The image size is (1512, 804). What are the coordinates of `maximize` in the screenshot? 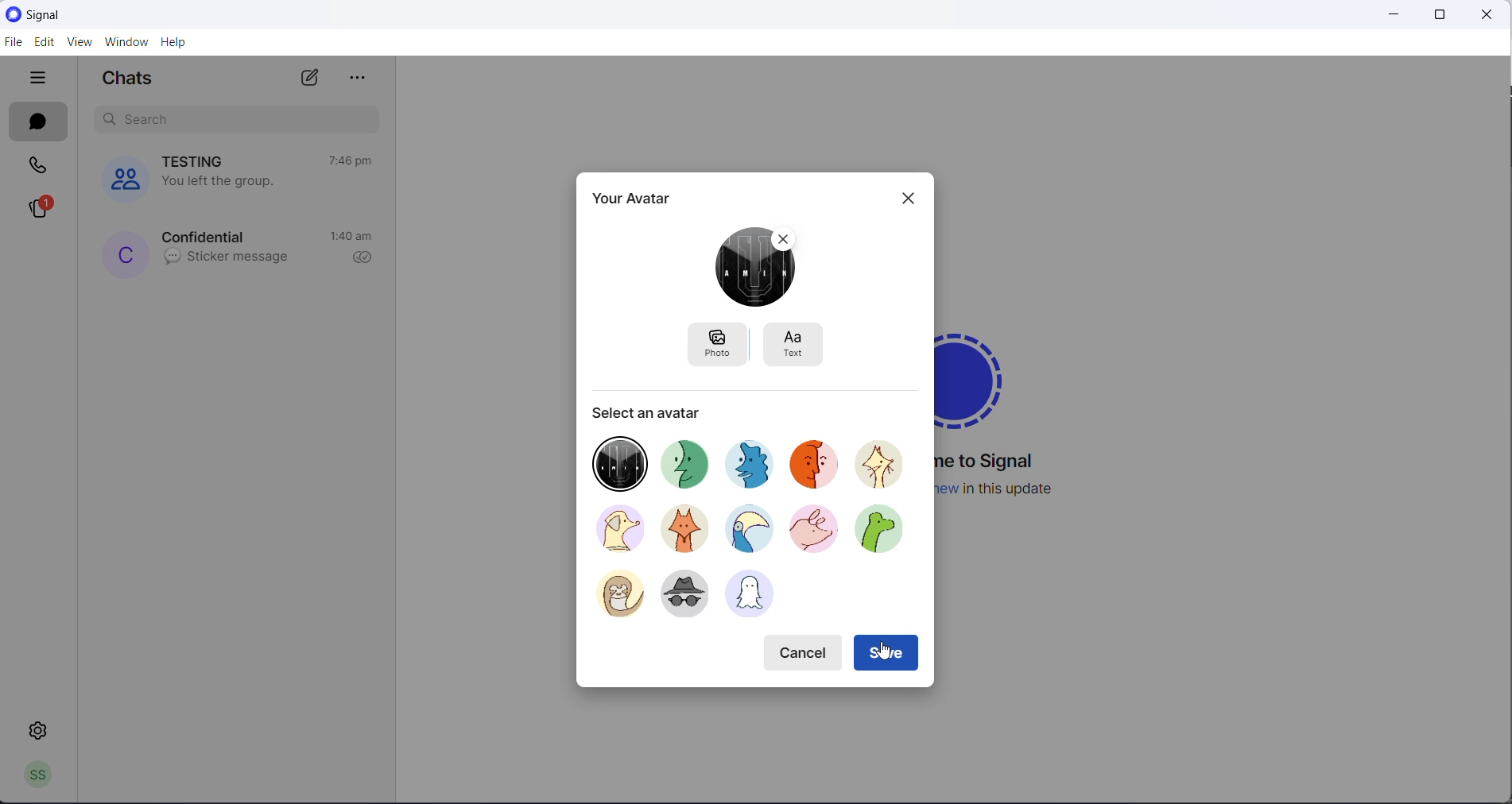 It's located at (1436, 15).